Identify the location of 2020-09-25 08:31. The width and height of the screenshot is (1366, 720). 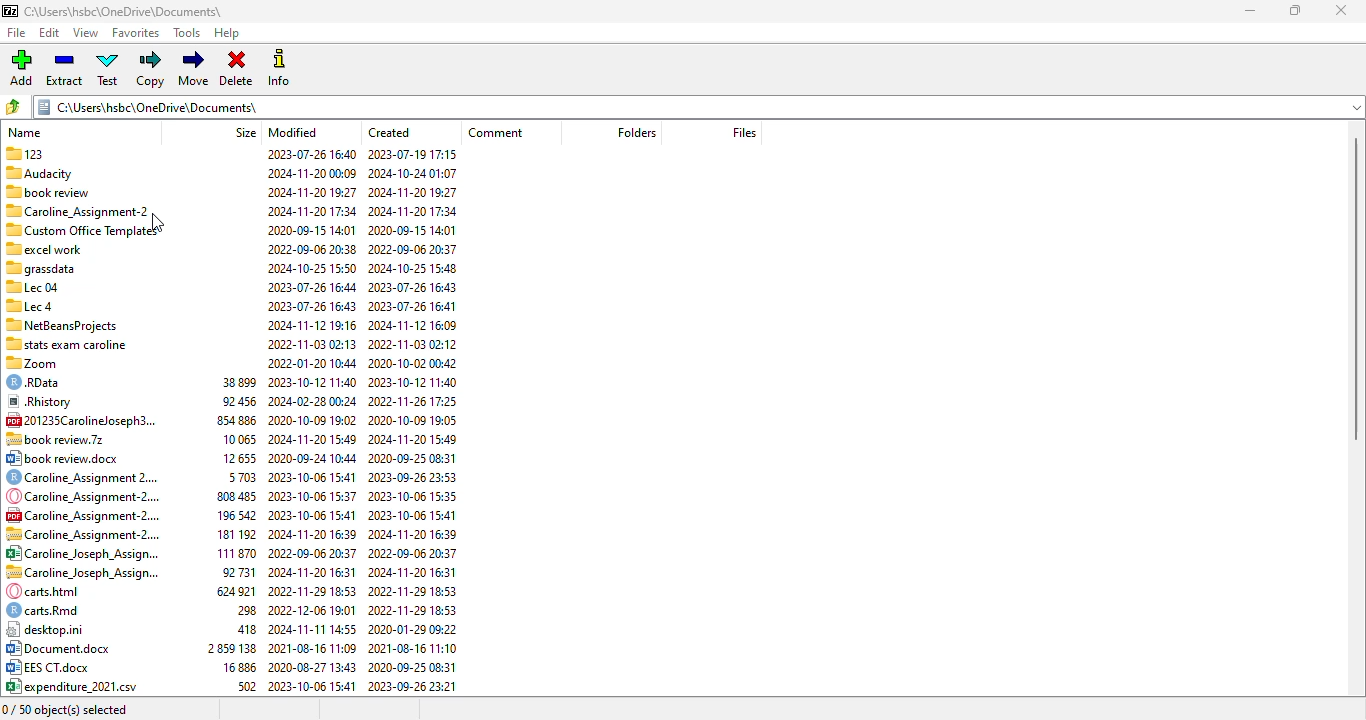
(410, 668).